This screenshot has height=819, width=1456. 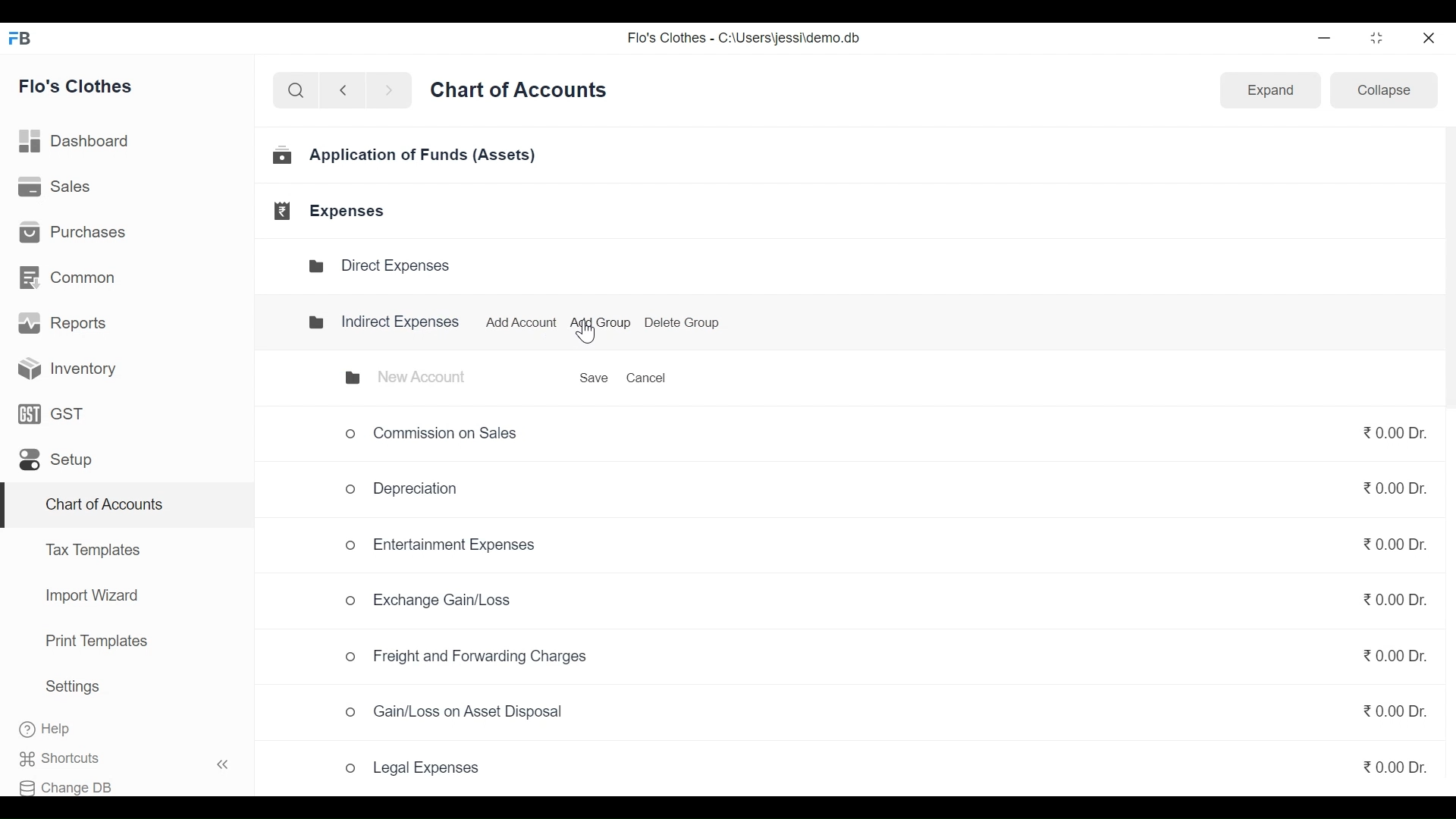 I want to click on close, so click(x=1430, y=36).